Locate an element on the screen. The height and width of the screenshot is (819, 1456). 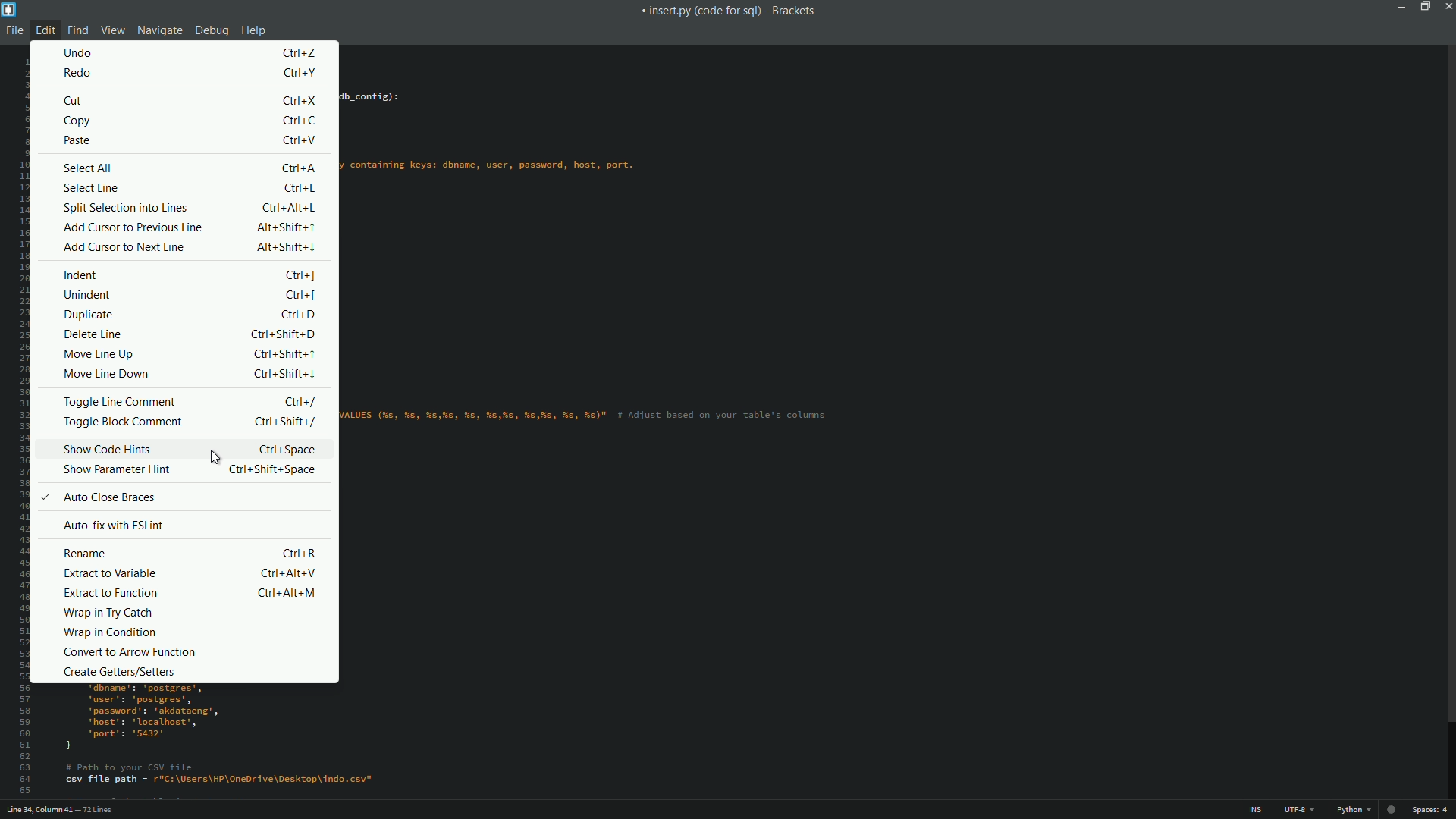
space is located at coordinates (1432, 810).